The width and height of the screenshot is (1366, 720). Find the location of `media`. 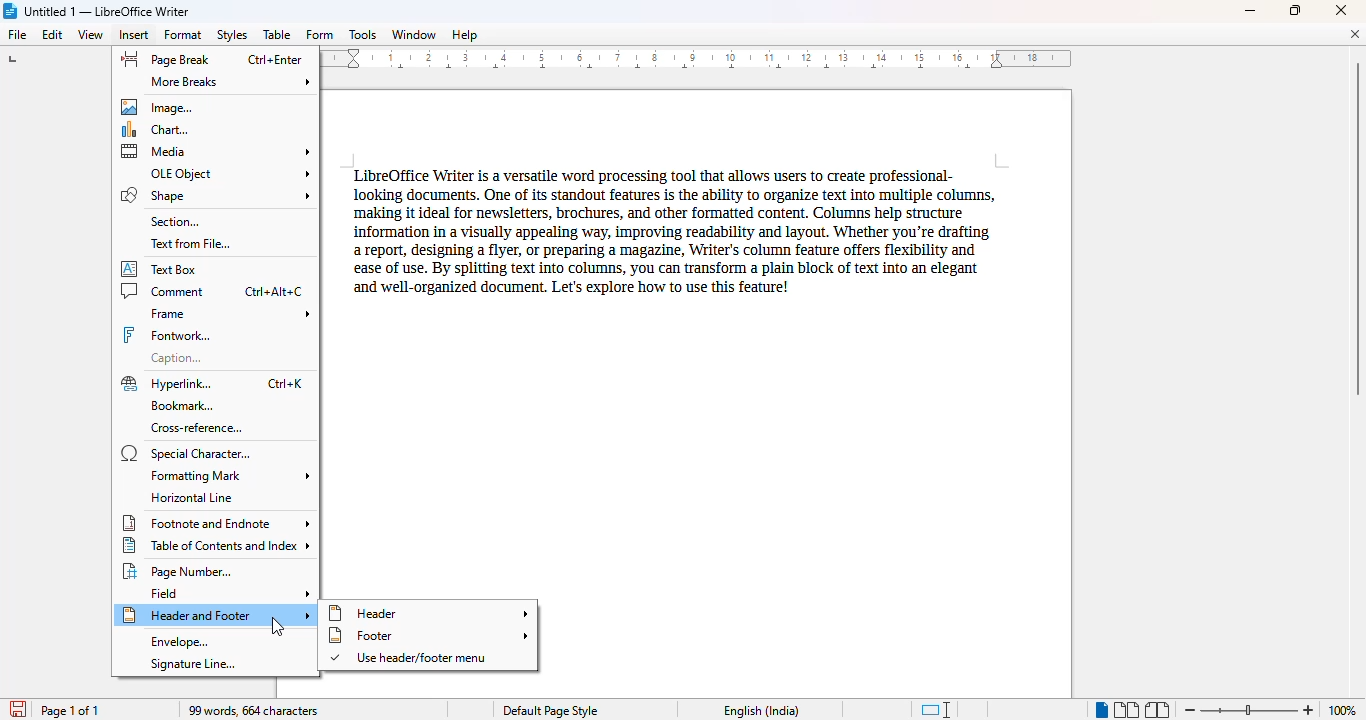

media is located at coordinates (217, 151).